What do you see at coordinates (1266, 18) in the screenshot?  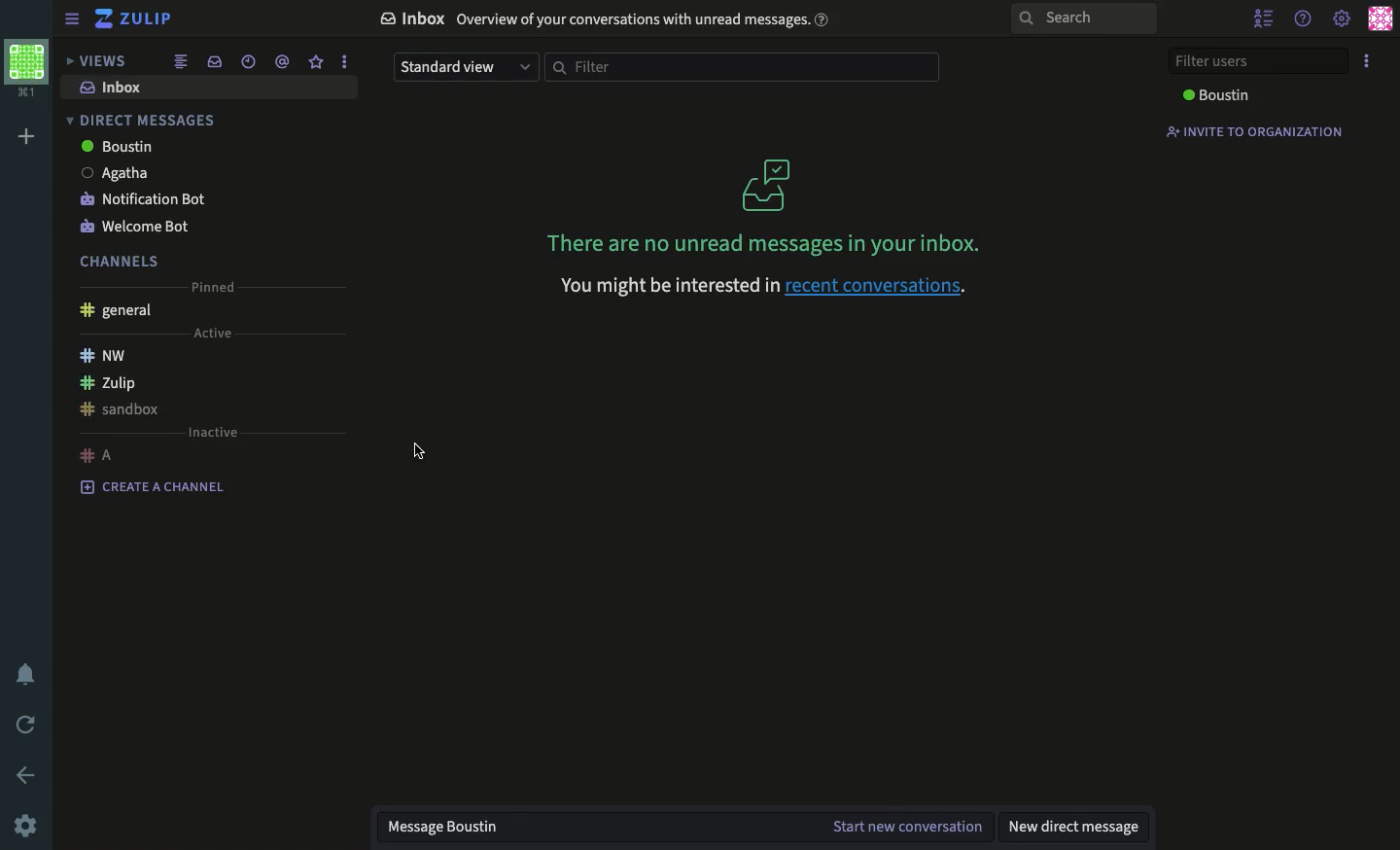 I see `hide user list` at bounding box center [1266, 18].